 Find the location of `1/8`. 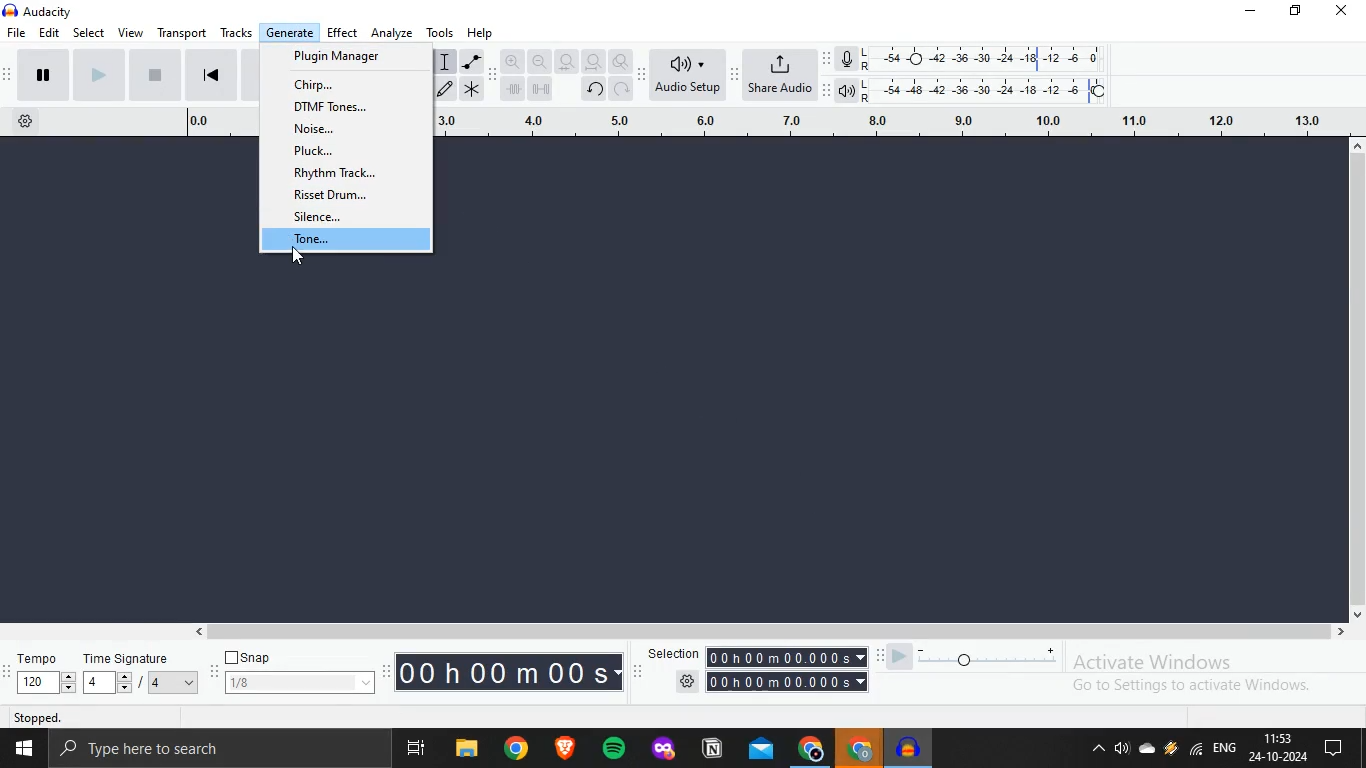

1/8 is located at coordinates (298, 683).